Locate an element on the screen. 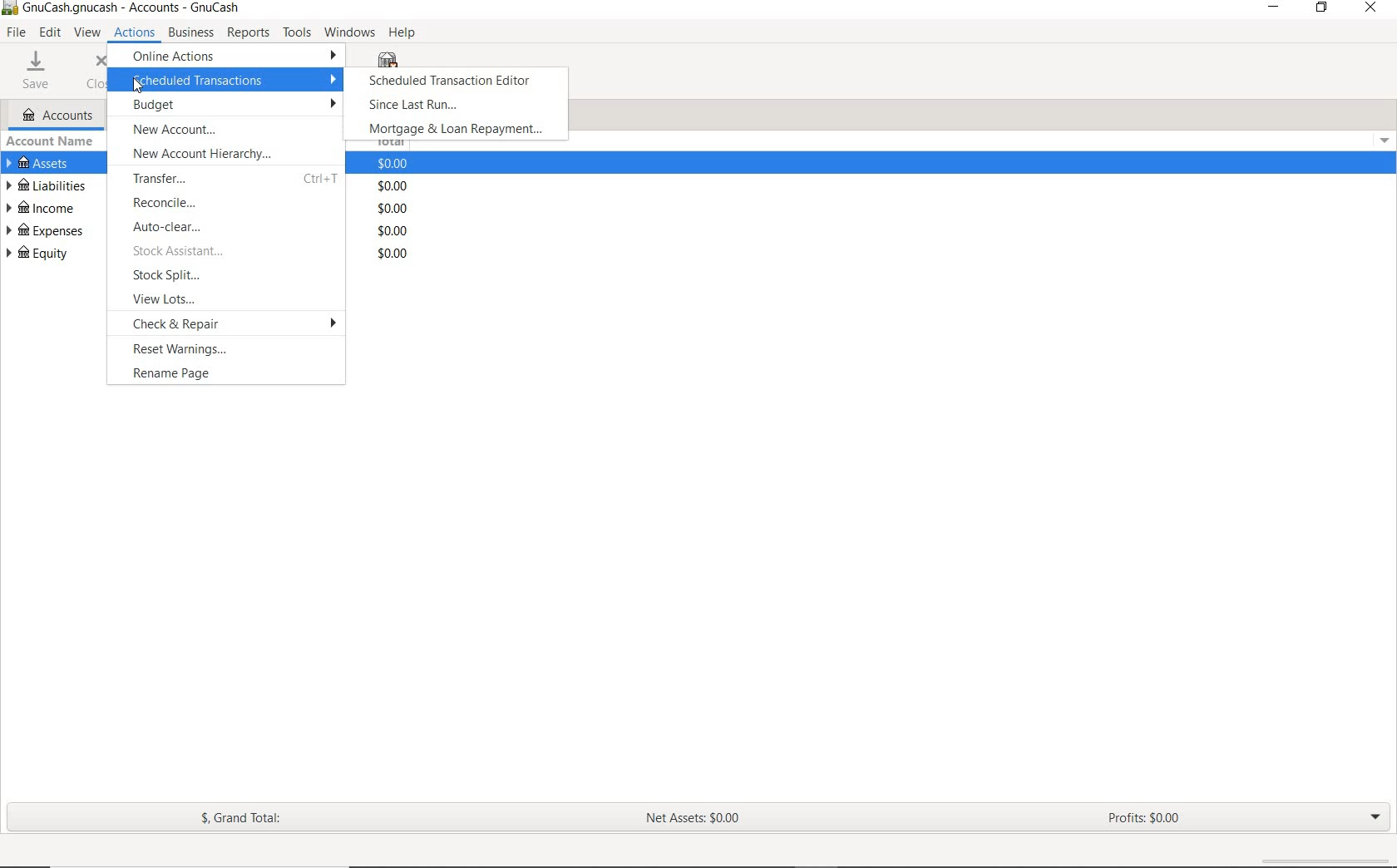 The height and width of the screenshot is (868, 1397). REPORTS is located at coordinates (249, 32).